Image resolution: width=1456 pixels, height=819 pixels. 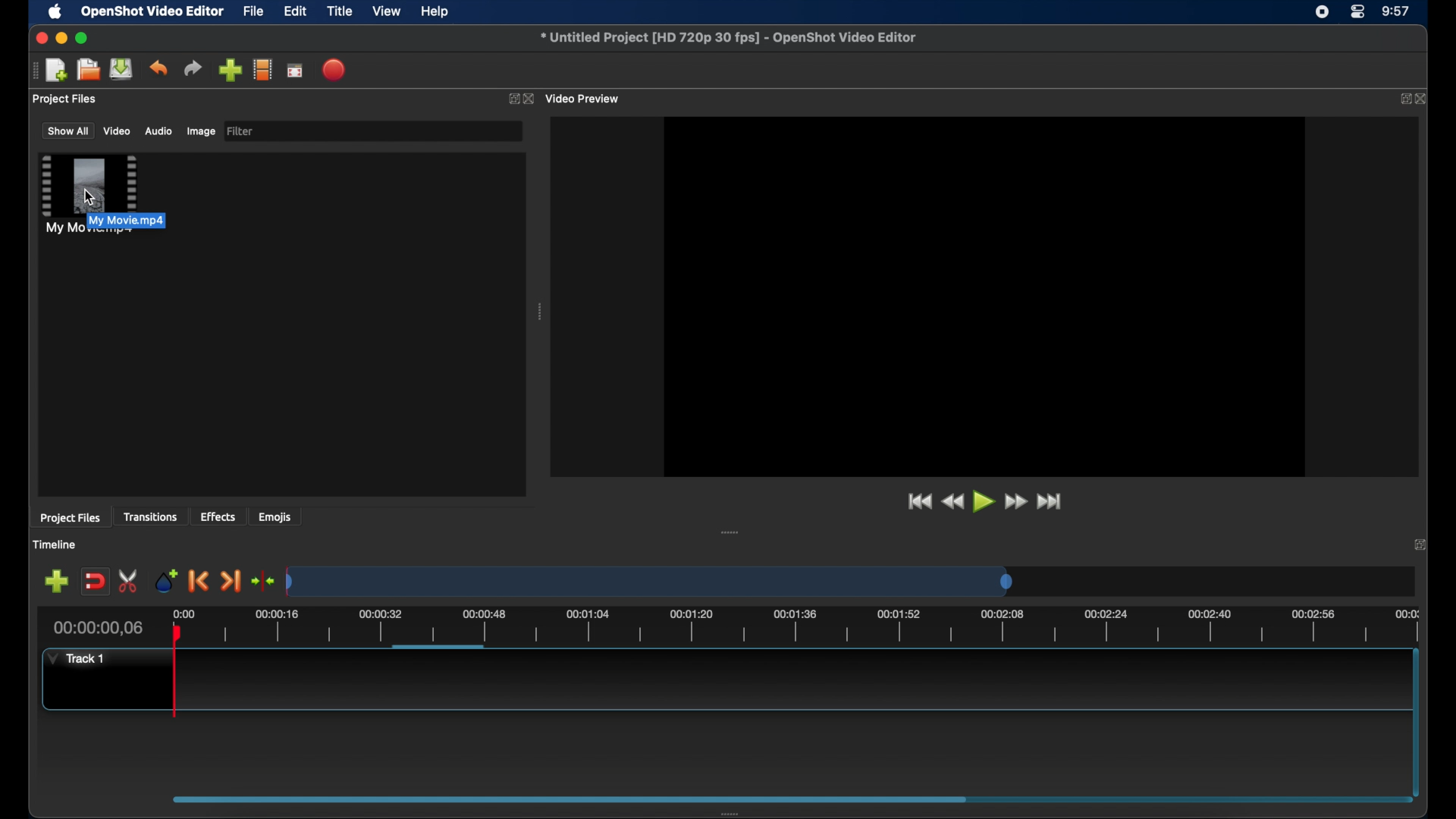 What do you see at coordinates (176, 673) in the screenshot?
I see `playhead` at bounding box center [176, 673].